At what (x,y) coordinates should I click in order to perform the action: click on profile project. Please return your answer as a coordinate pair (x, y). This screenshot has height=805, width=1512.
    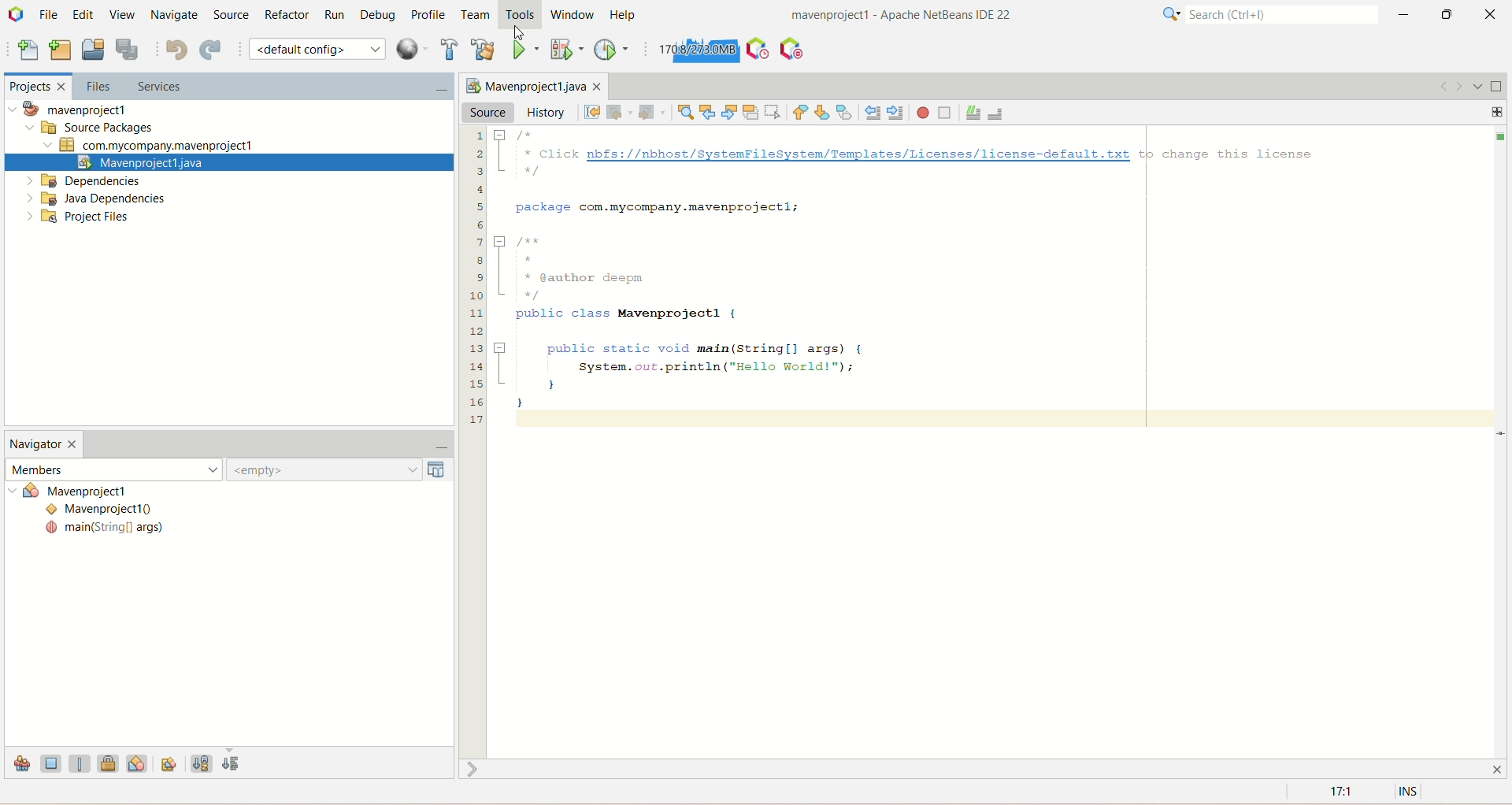
    Looking at the image, I should click on (613, 50).